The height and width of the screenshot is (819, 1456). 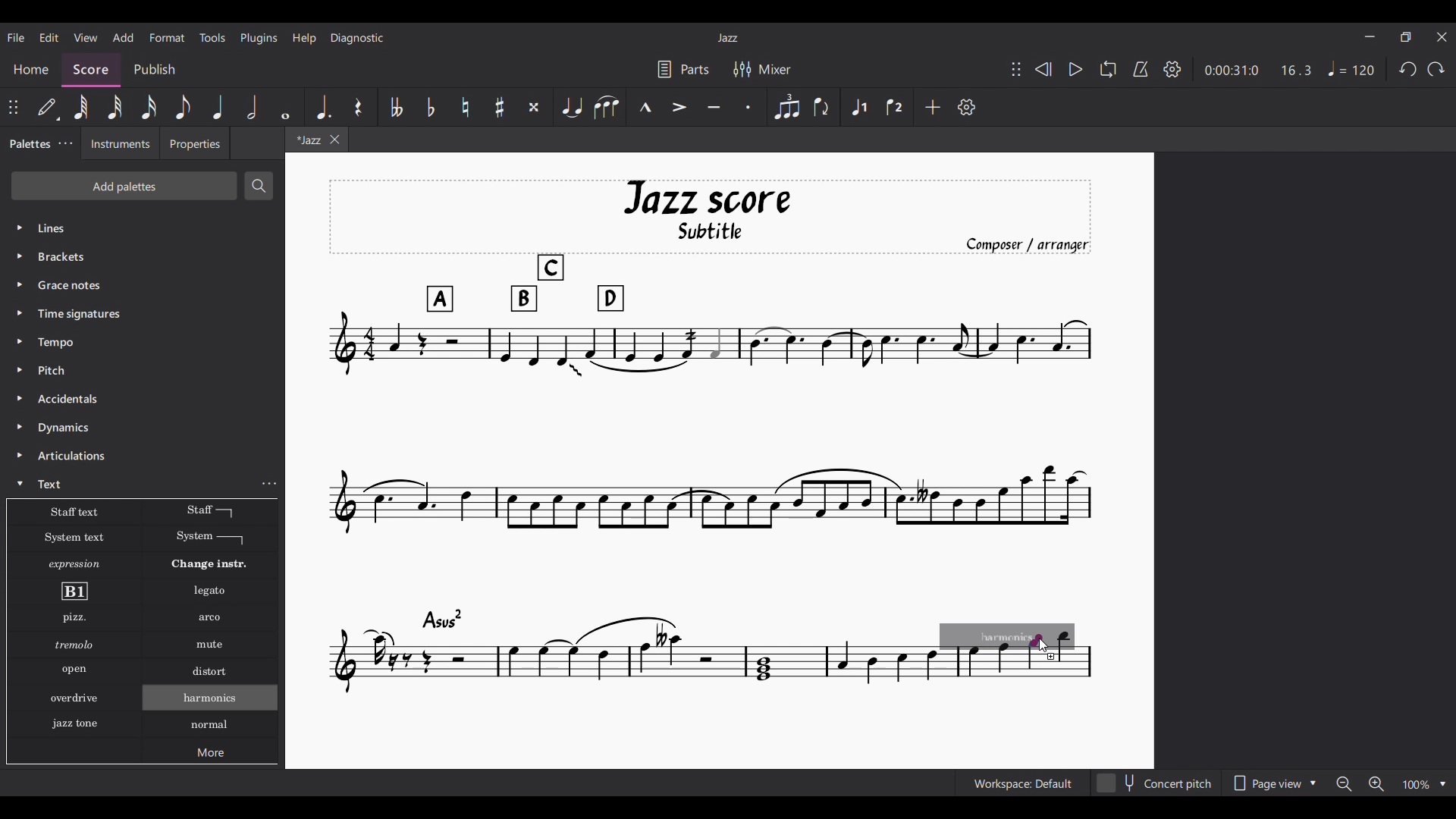 What do you see at coordinates (304, 39) in the screenshot?
I see `Help menu` at bounding box center [304, 39].